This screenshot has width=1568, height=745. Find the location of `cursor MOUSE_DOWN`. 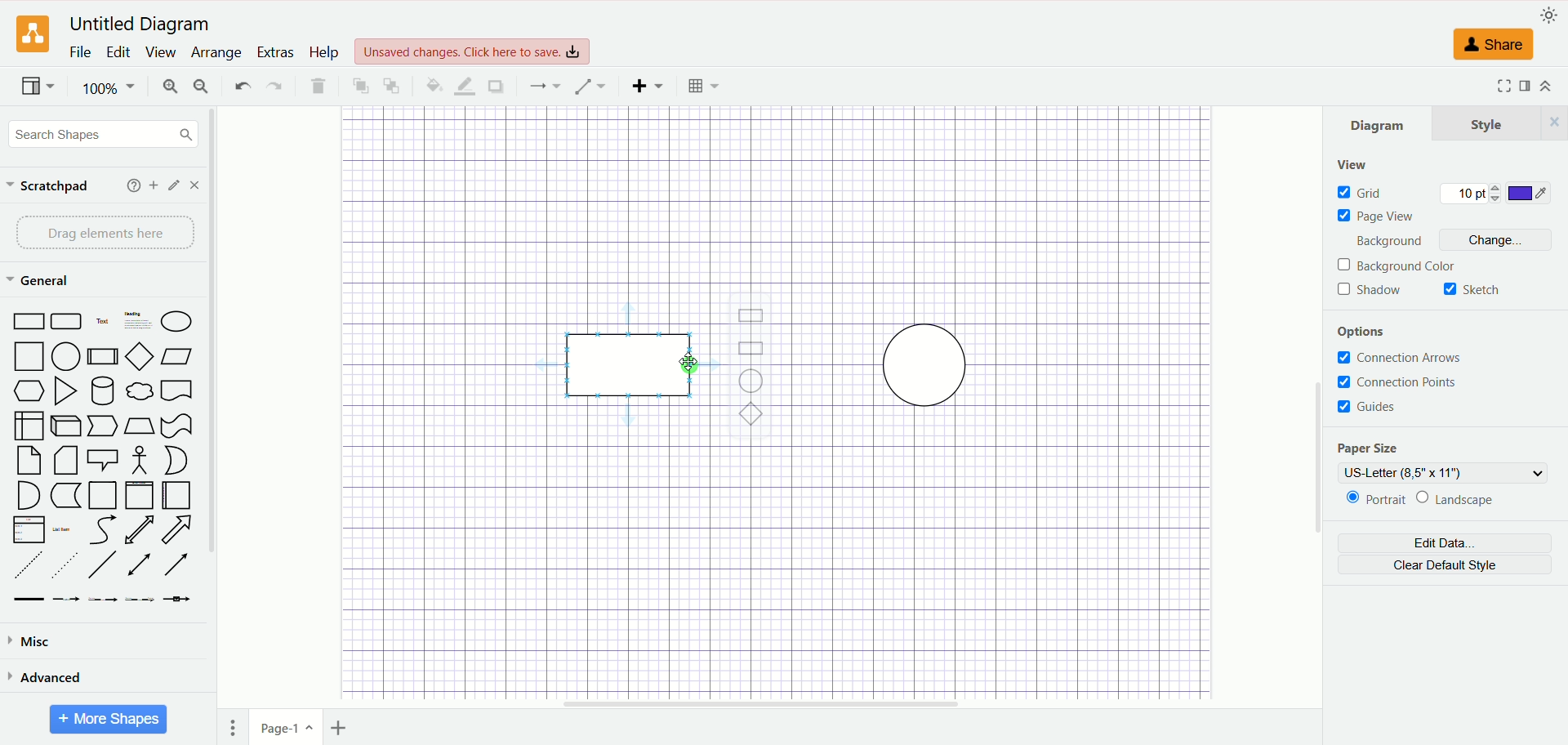

cursor MOUSE_DOWN is located at coordinates (690, 363).